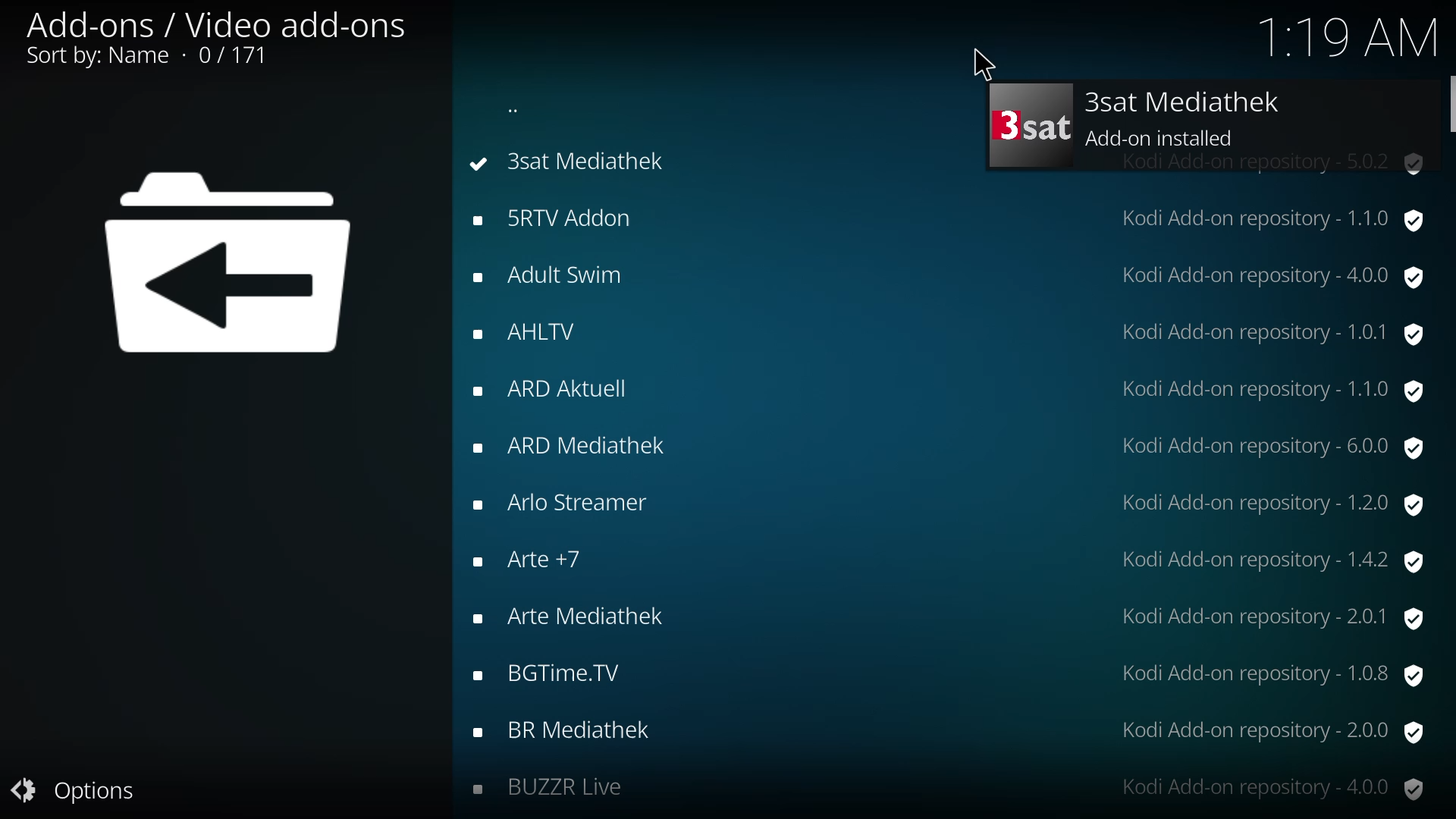 The image size is (1456, 819). I want to click on version, so click(1263, 503).